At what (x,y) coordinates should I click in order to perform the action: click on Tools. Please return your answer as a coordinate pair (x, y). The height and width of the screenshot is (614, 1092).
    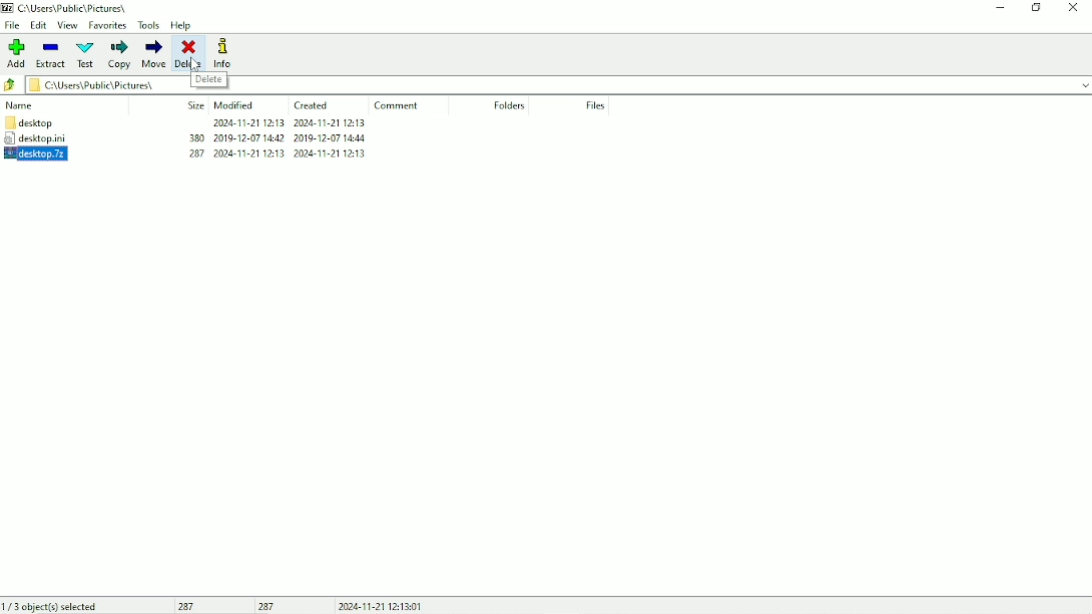
    Looking at the image, I should click on (149, 26).